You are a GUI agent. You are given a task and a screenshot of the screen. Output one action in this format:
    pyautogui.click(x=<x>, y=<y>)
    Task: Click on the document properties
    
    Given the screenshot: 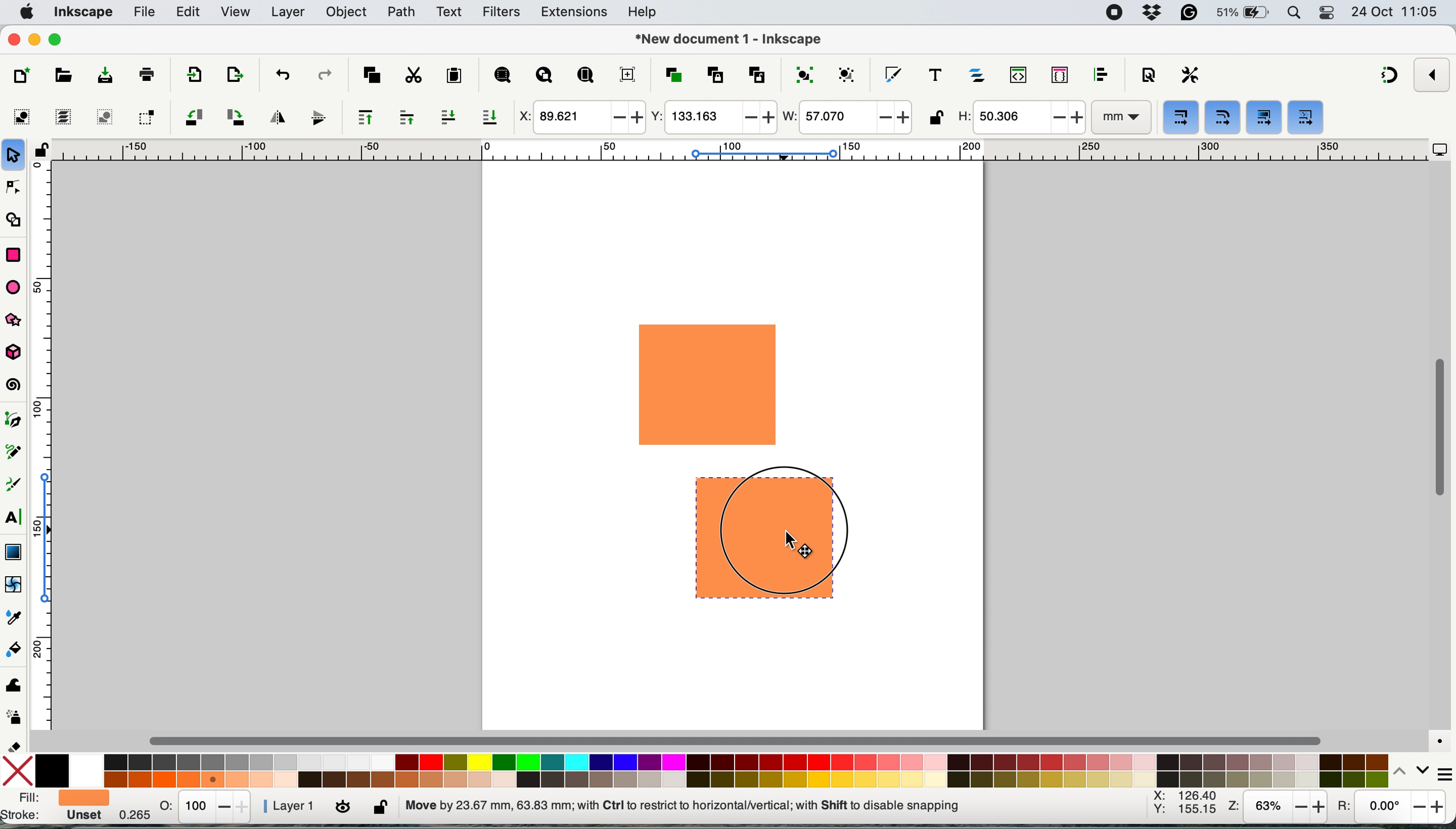 What is the action you would take?
    pyautogui.click(x=1148, y=76)
    